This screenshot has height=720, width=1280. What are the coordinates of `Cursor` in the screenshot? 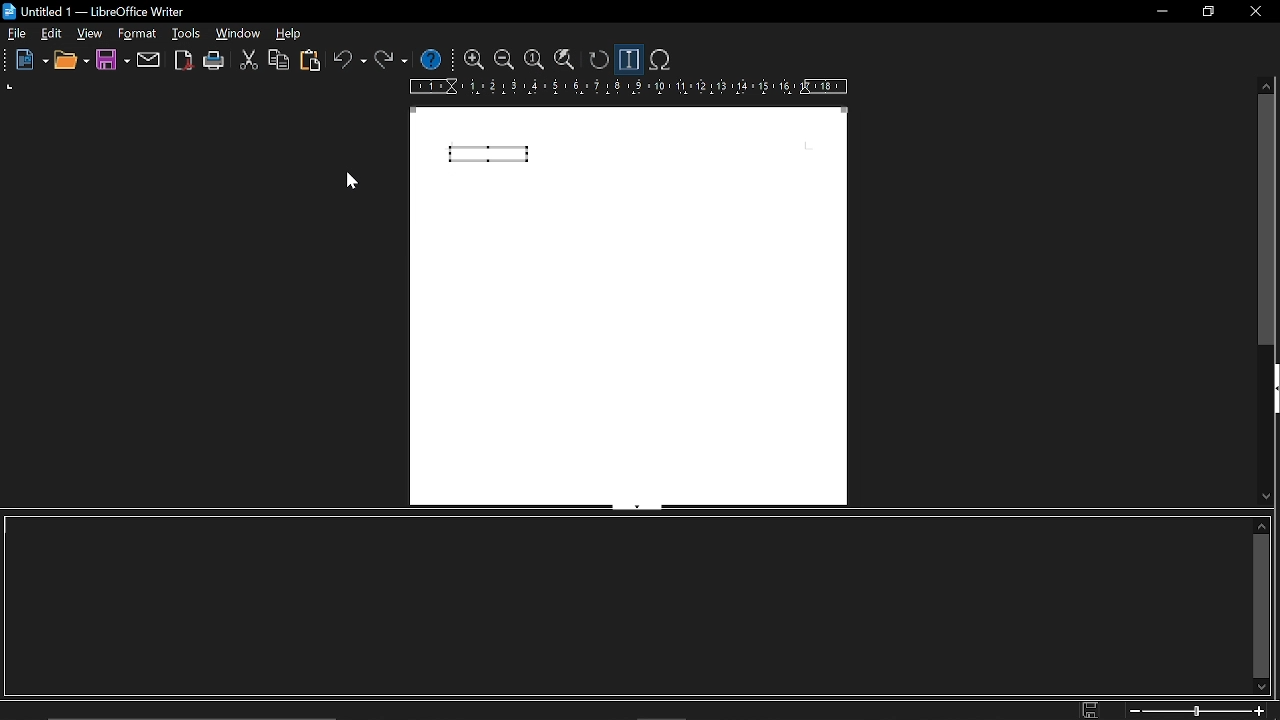 It's located at (358, 186).